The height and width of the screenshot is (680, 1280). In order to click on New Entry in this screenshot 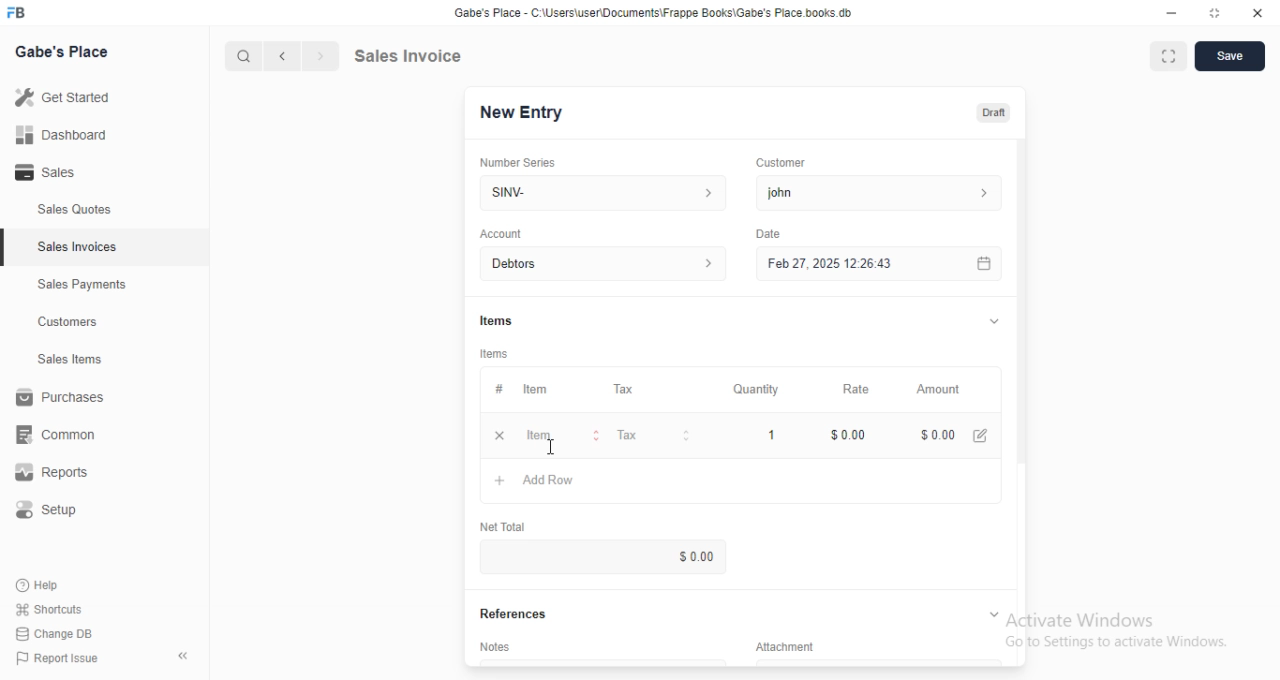, I will do `click(523, 113)`.